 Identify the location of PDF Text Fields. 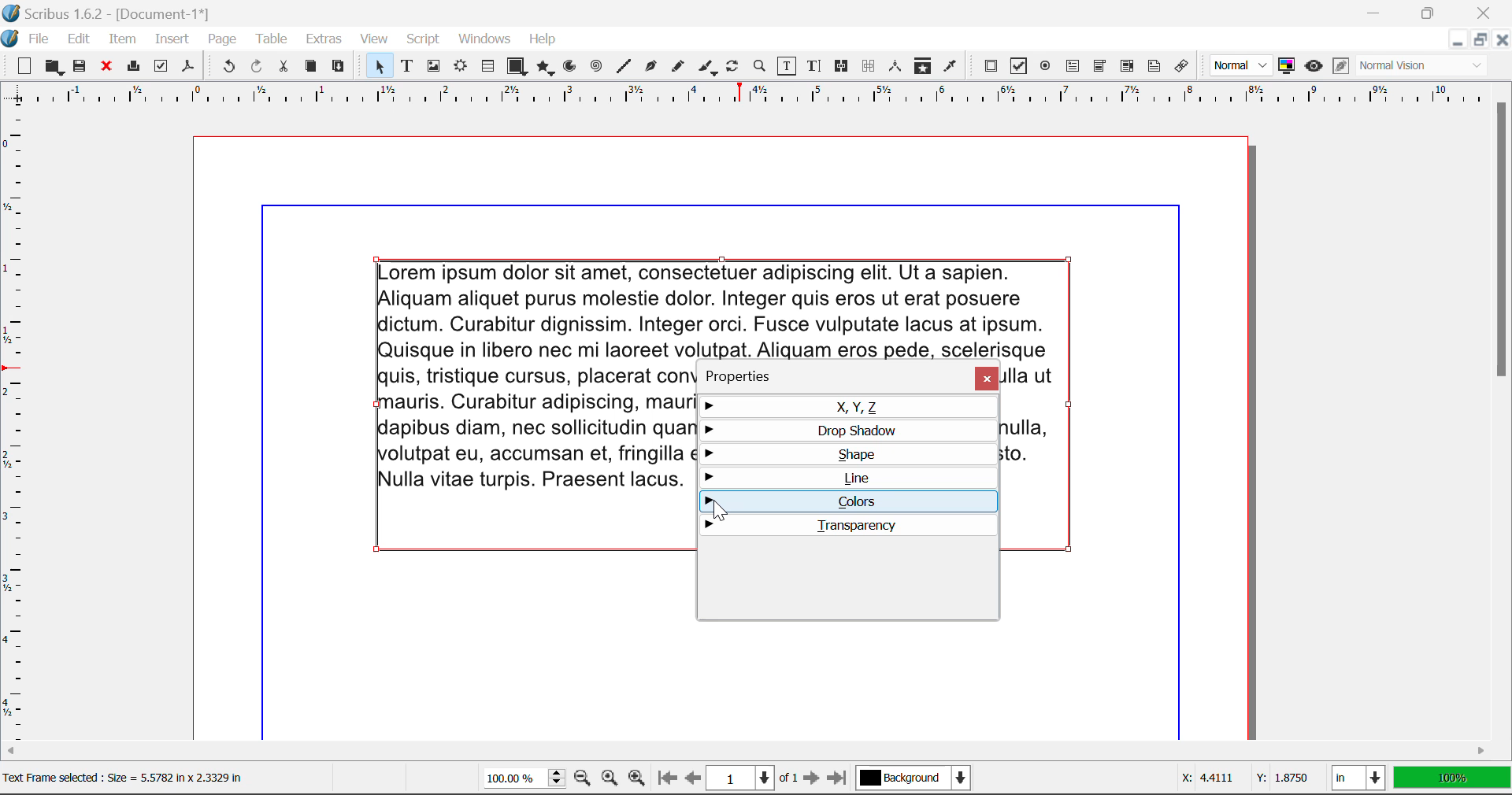
(1073, 66).